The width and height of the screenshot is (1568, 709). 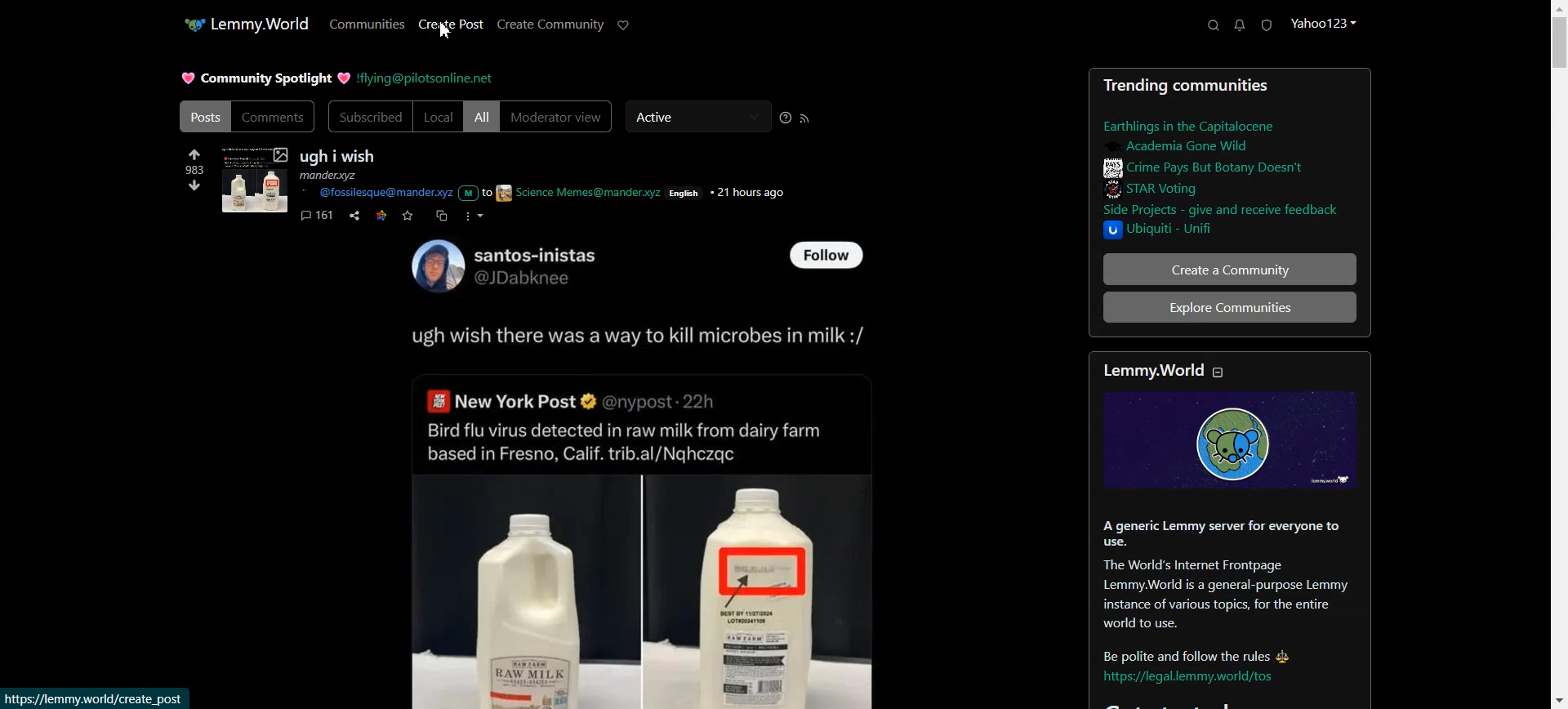 I want to click on Sidebar, so click(x=1230, y=533).